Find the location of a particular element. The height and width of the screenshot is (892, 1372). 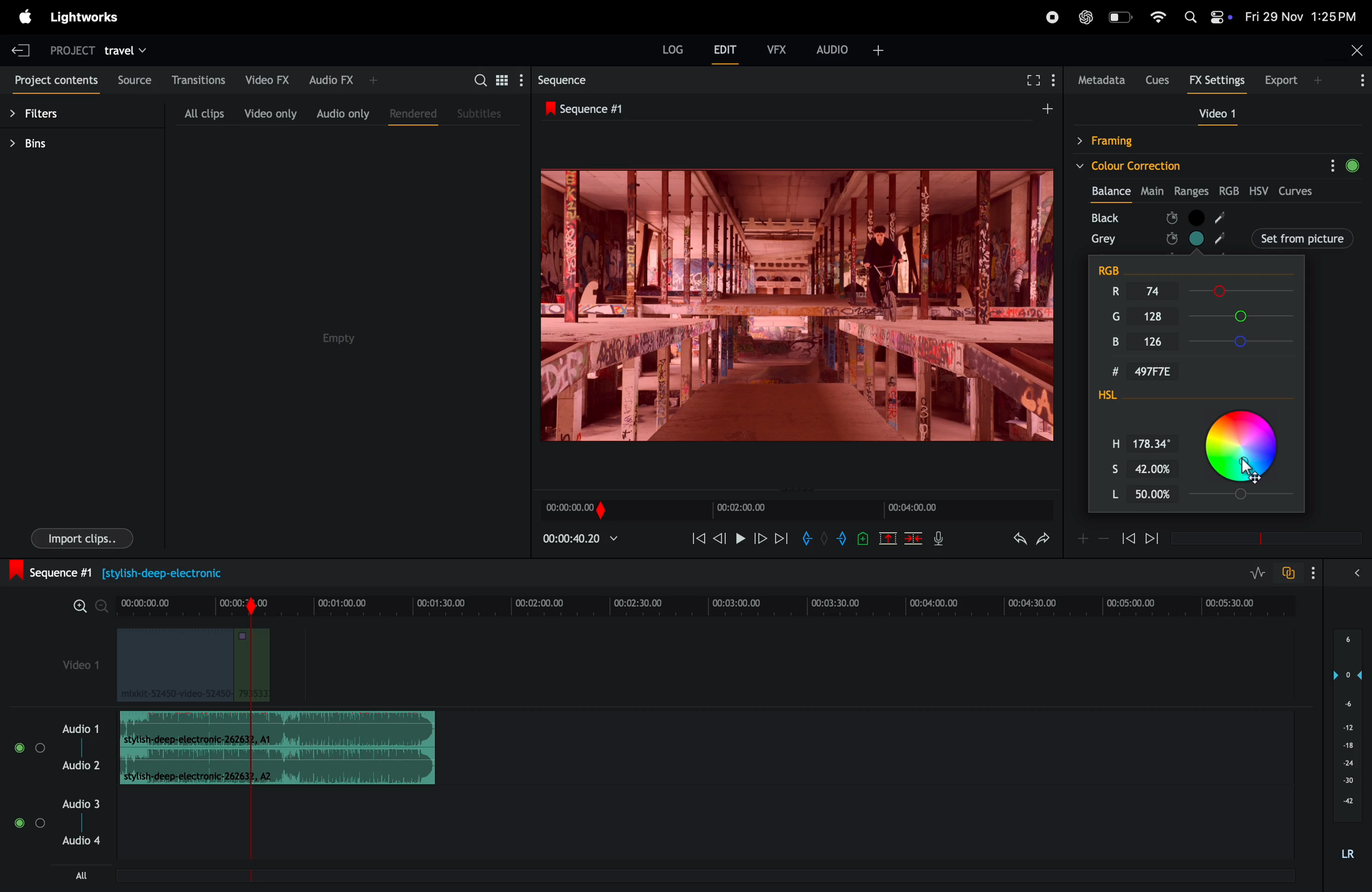

Fx settings is located at coordinates (1217, 82).